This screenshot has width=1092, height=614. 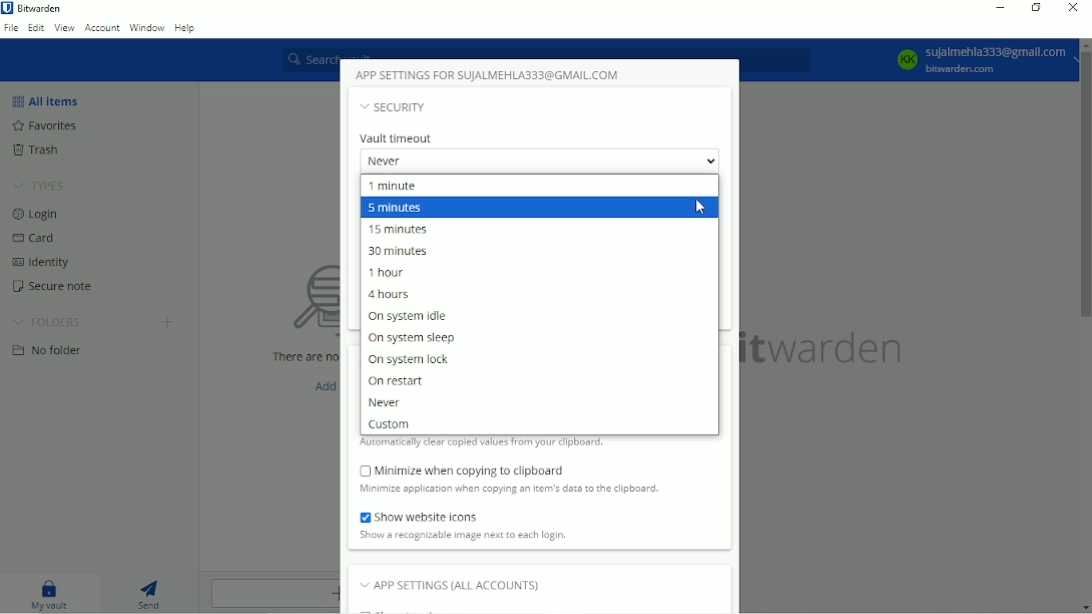 I want to click on Account, so click(x=103, y=28).